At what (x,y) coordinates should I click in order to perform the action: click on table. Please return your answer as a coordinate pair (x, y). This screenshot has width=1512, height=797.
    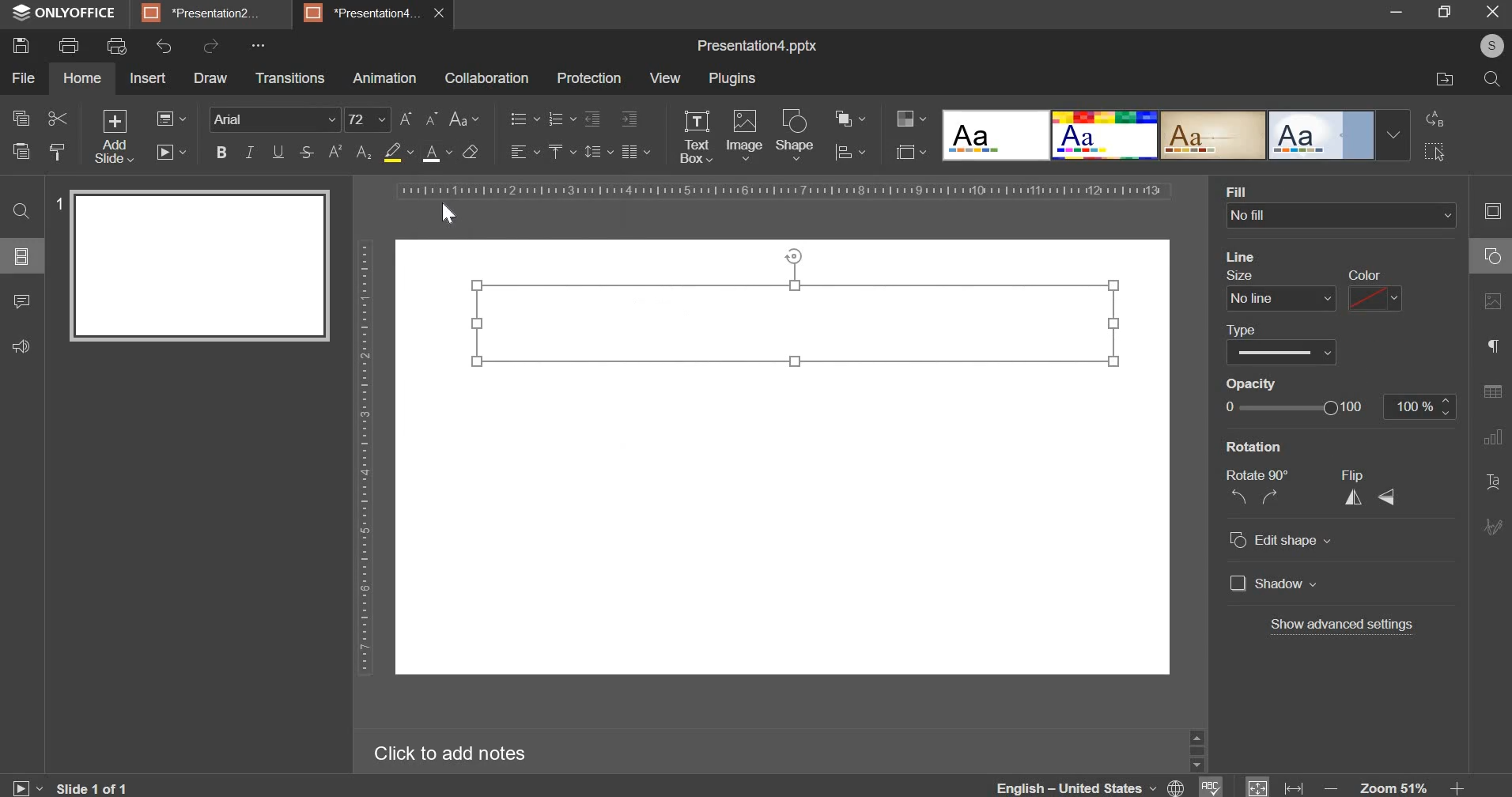
    Looking at the image, I should click on (1492, 396).